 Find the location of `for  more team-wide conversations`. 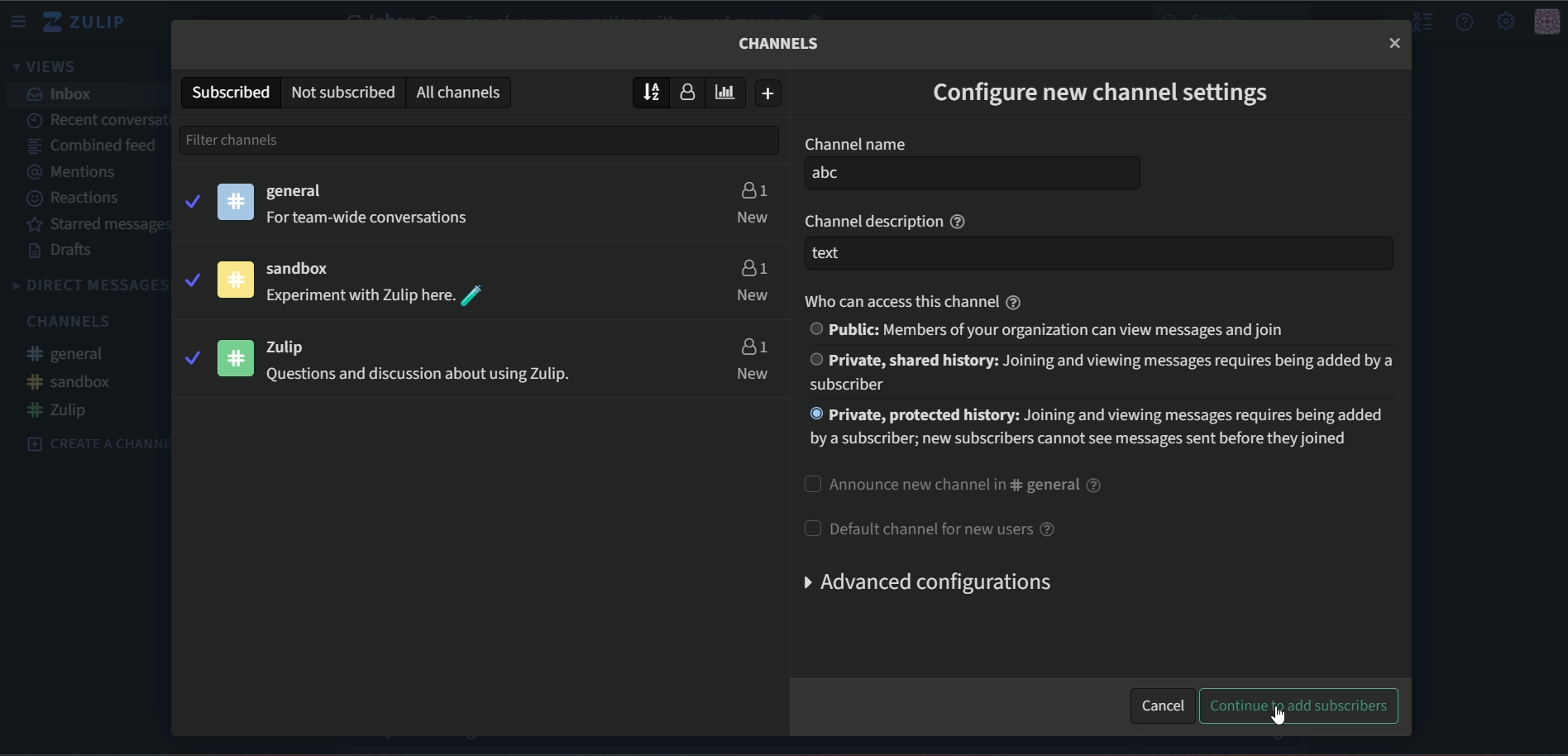

for  more team-wide conversations is located at coordinates (372, 218).